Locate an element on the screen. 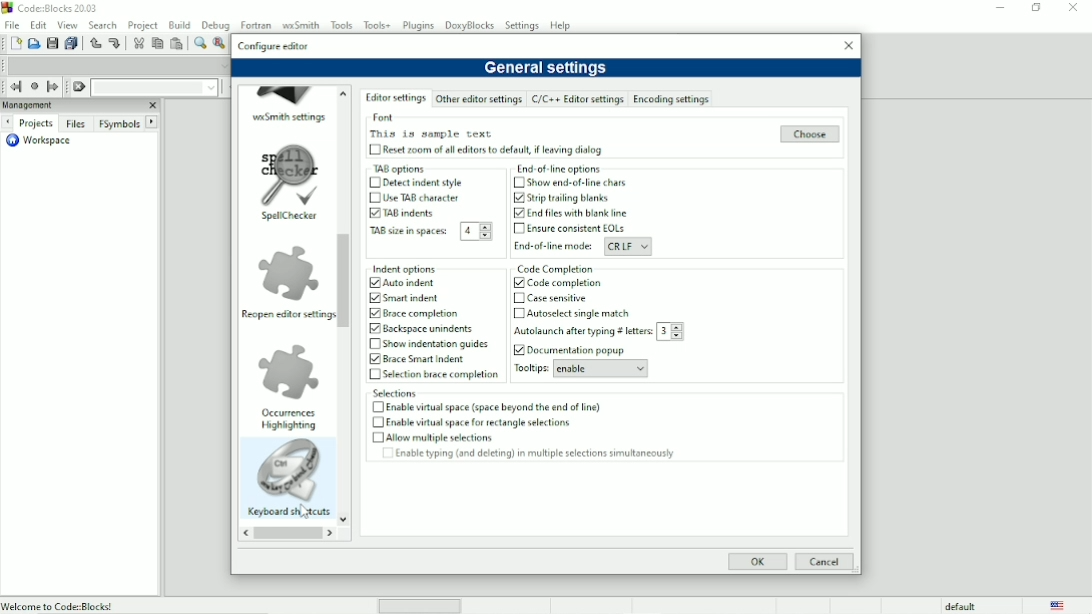 The width and height of the screenshot is (1092, 614). Chehckbox is located at coordinates (374, 150).